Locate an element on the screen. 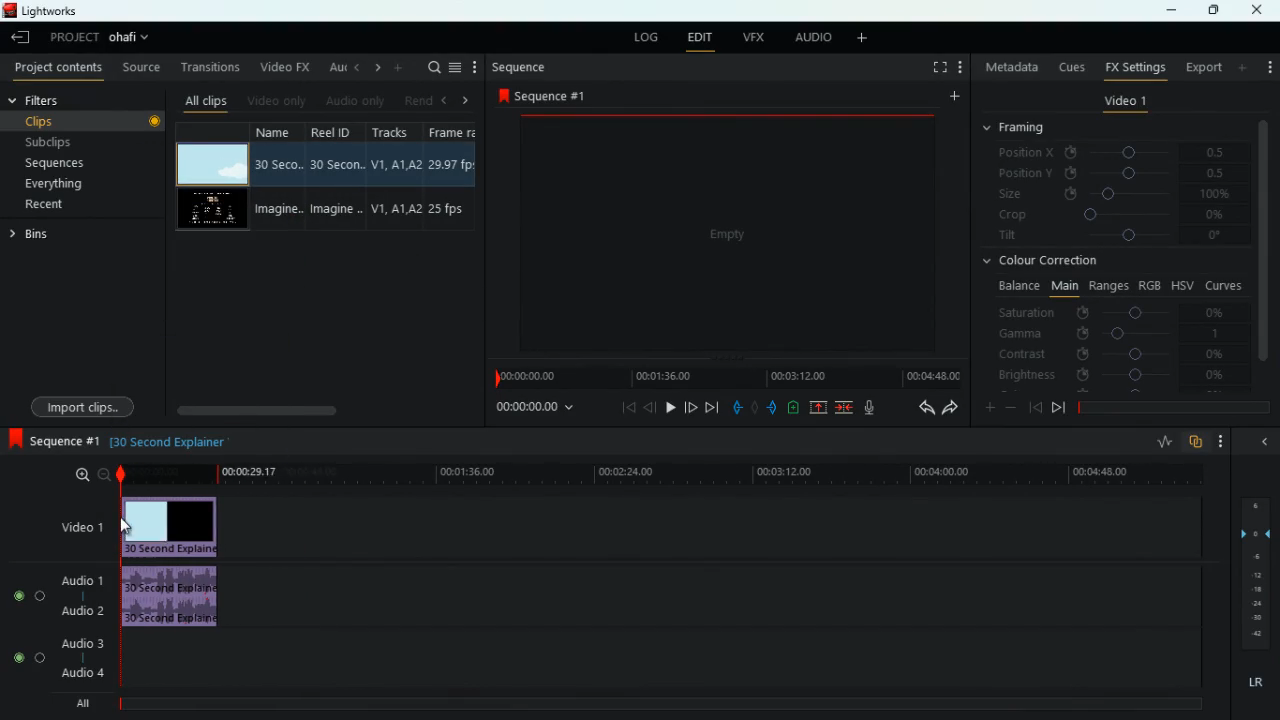  vfx is located at coordinates (750, 38).